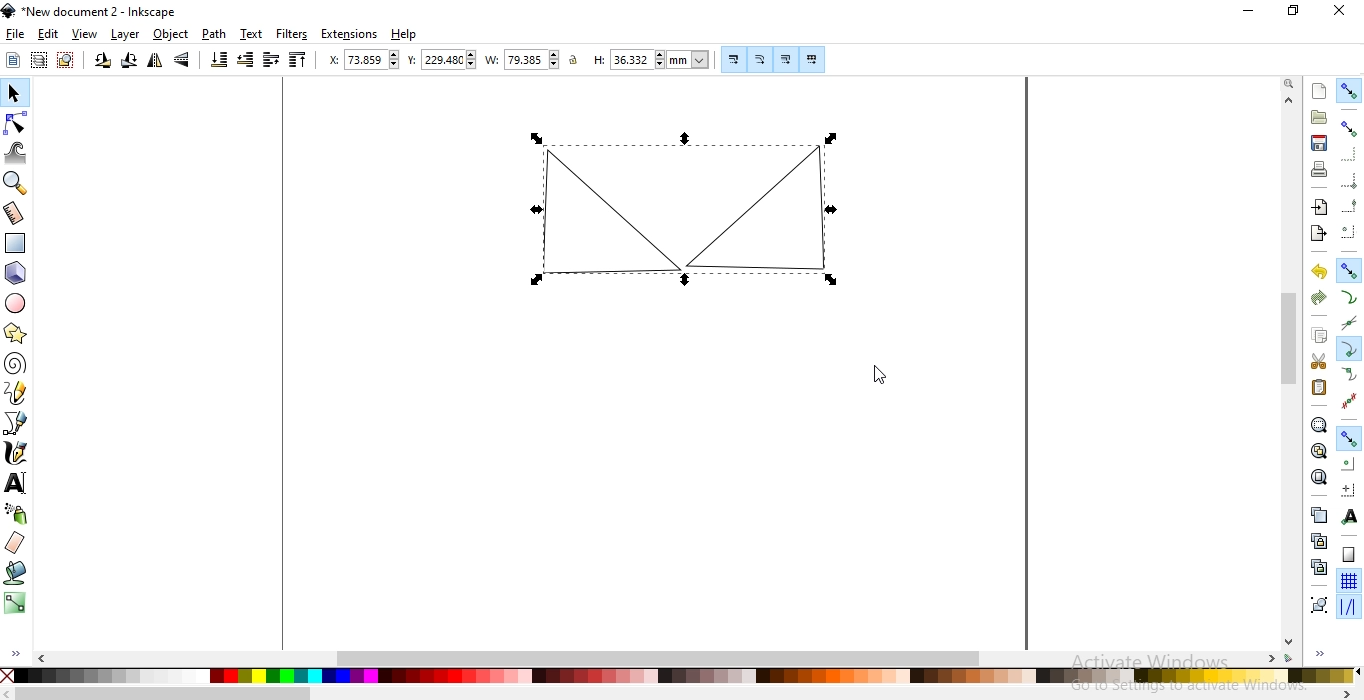 This screenshot has height=700, width=1364. What do you see at coordinates (1319, 477) in the screenshot?
I see `zoom to fit page` at bounding box center [1319, 477].